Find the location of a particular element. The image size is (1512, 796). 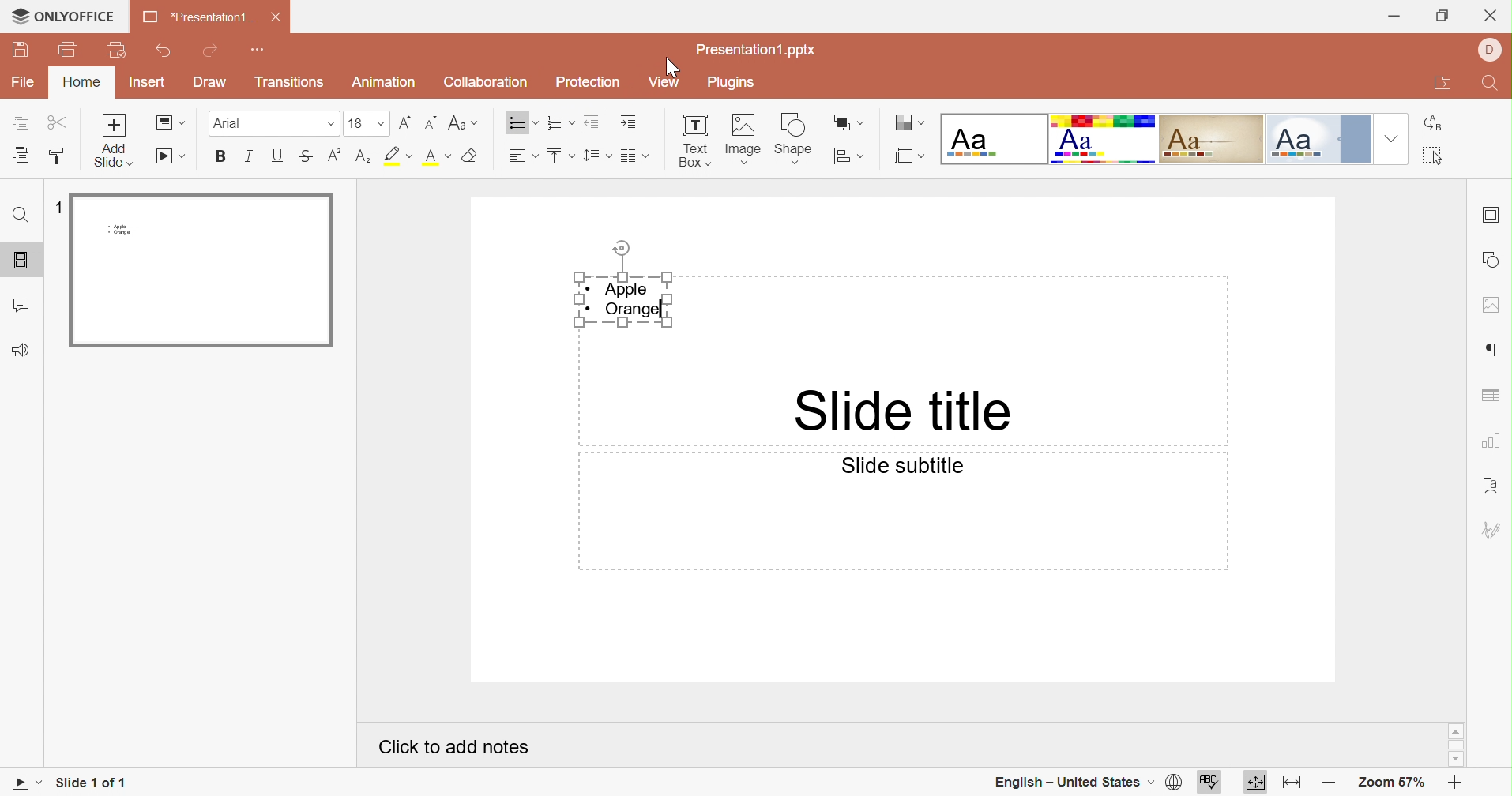

Scroll Up is located at coordinates (1452, 731).